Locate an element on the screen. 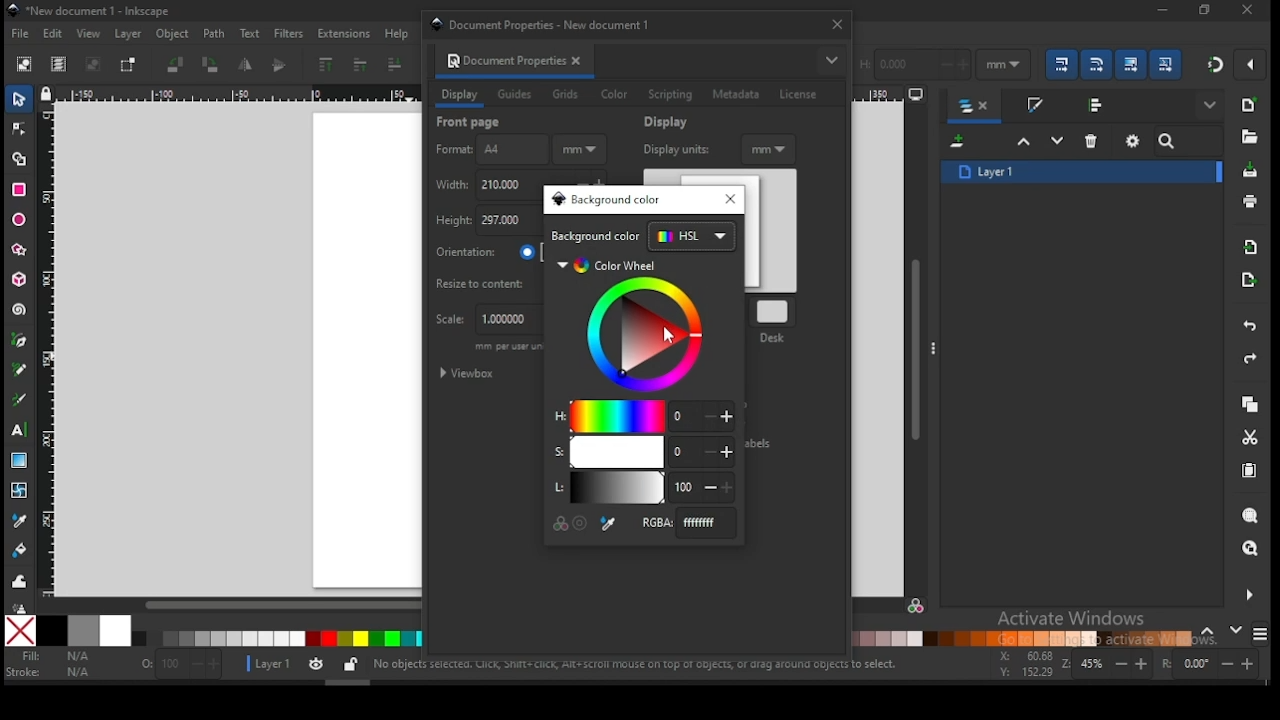 The image size is (1280, 720). grids is located at coordinates (565, 94).